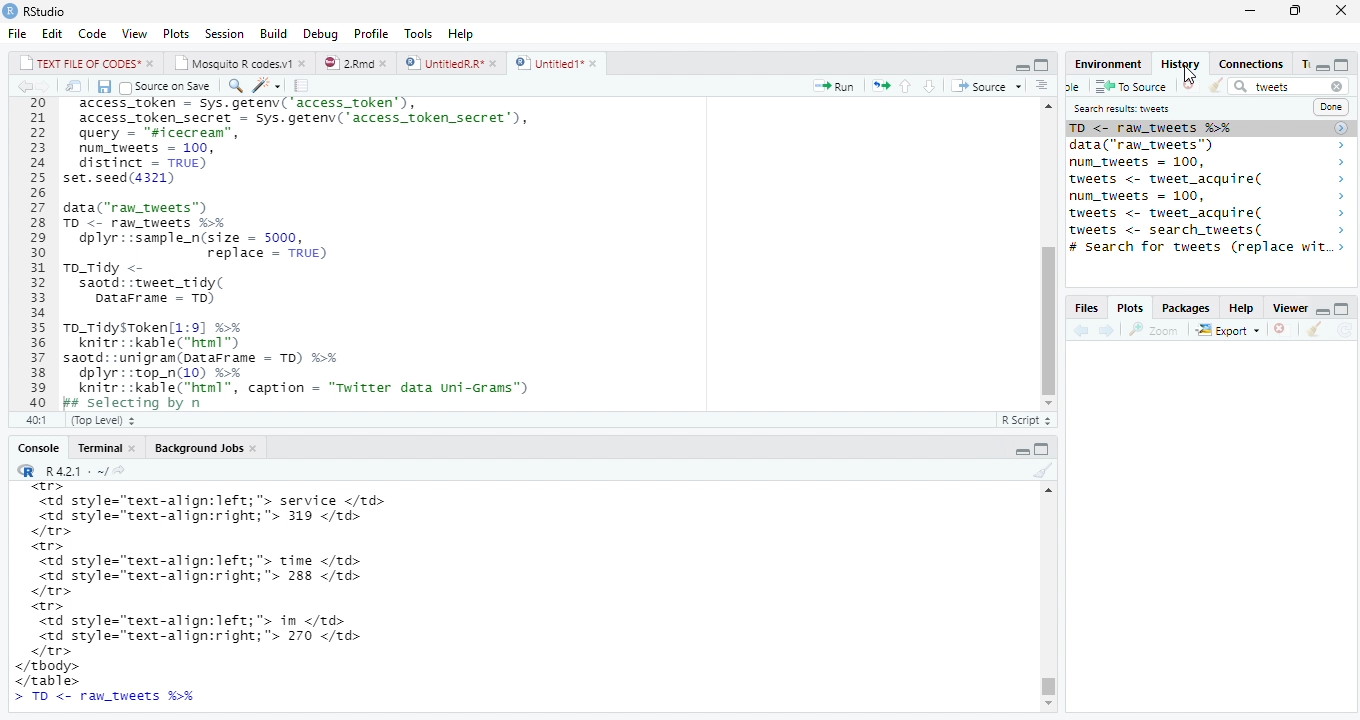 The width and height of the screenshot is (1360, 720). Describe the element at coordinates (1285, 330) in the screenshot. I see `remove viewer` at that location.